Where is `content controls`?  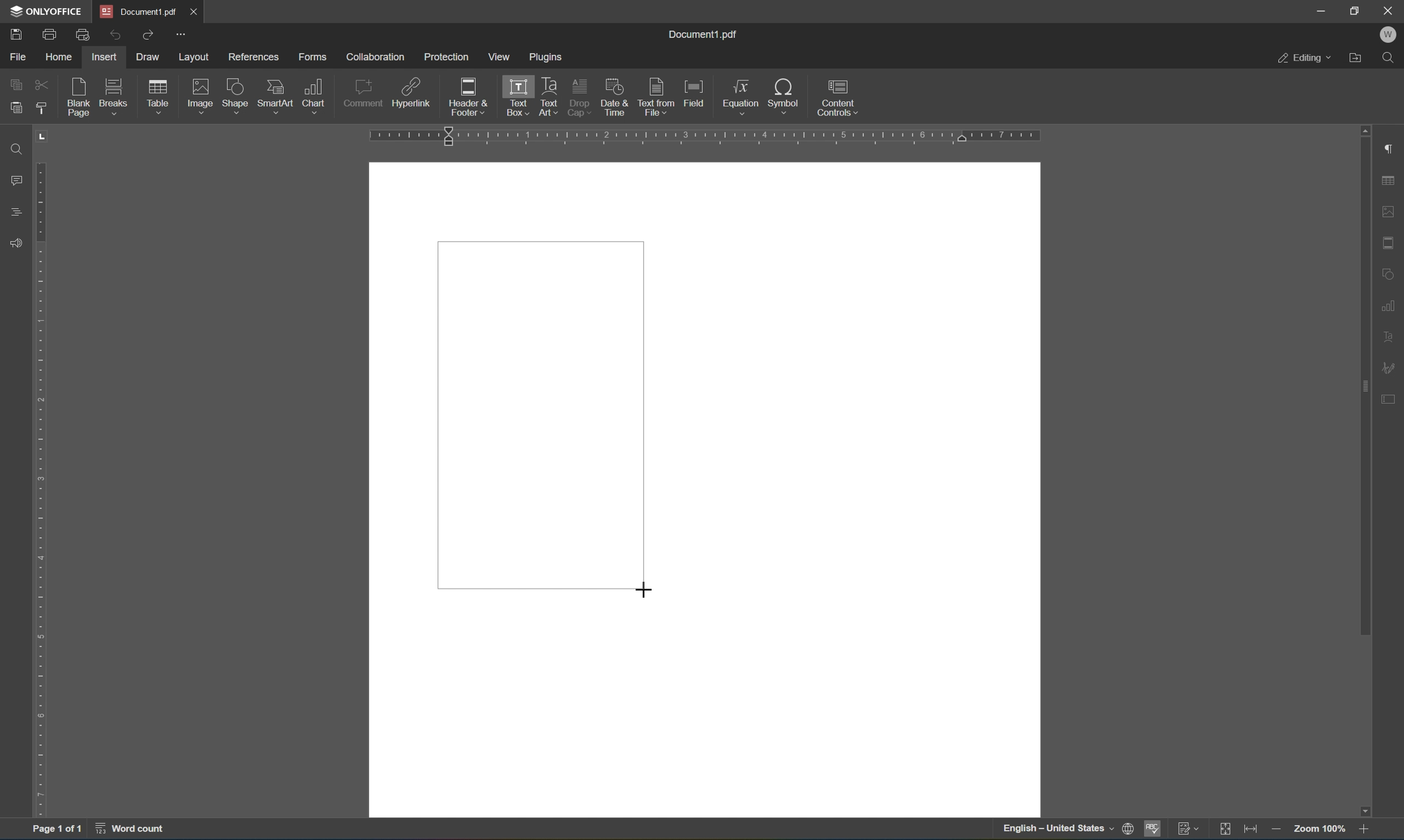 content controls is located at coordinates (841, 97).